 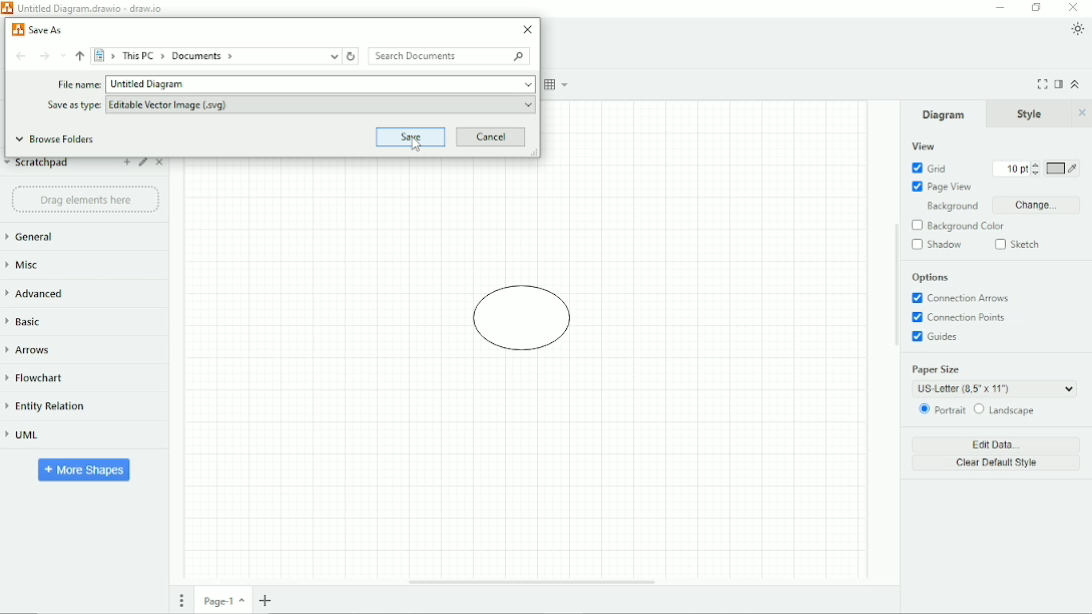 I want to click on Edit Data, so click(x=998, y=444).